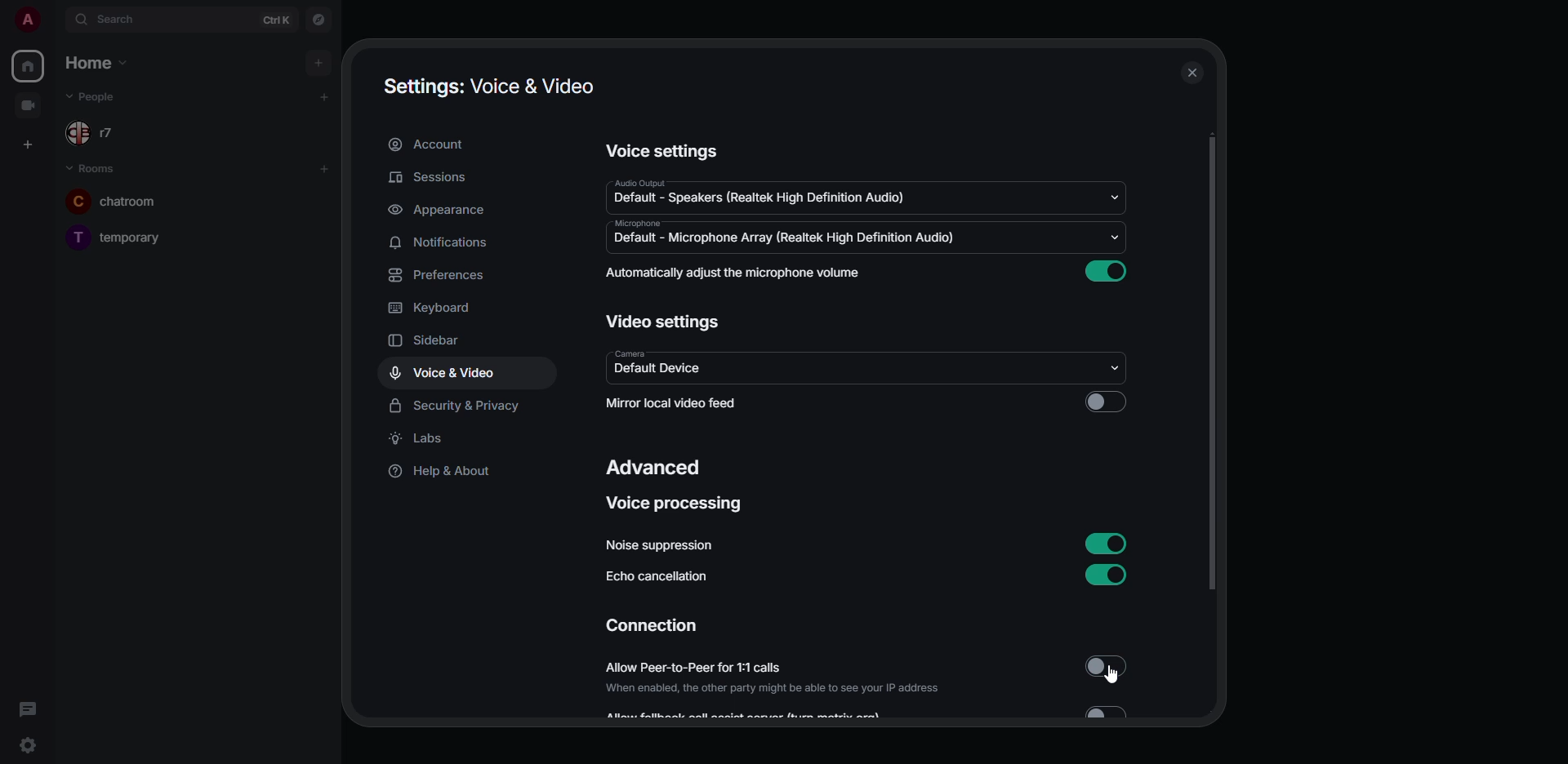 The height and width of the screenshot is (764, 1568). What do you see at coordinates (1111, 371) in the screenshot?
I see `drop down` at bounding box center [1111, 371].